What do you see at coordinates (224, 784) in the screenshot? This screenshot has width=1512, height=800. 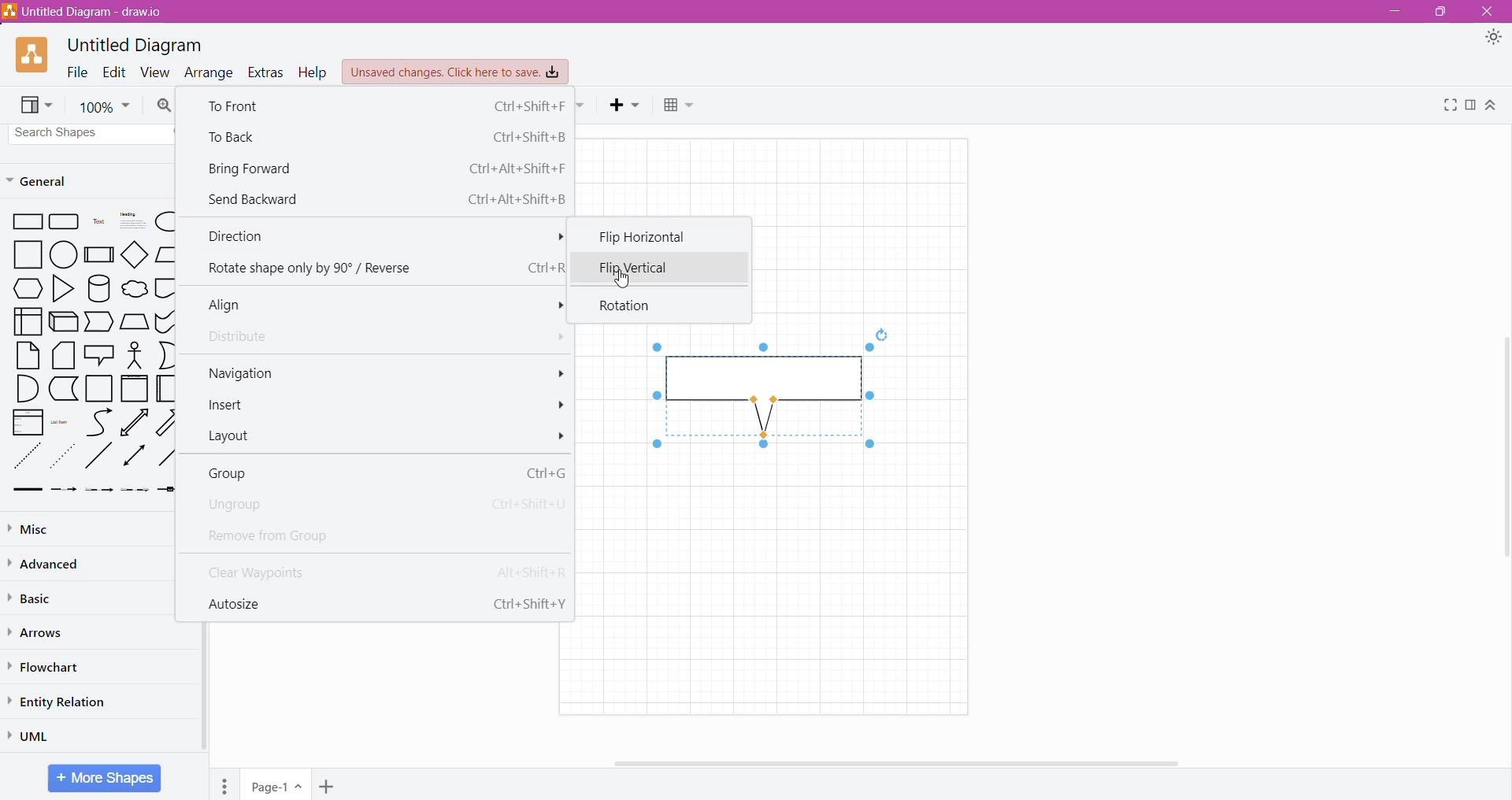 I see `Pages` at bounding box center [224, 784].